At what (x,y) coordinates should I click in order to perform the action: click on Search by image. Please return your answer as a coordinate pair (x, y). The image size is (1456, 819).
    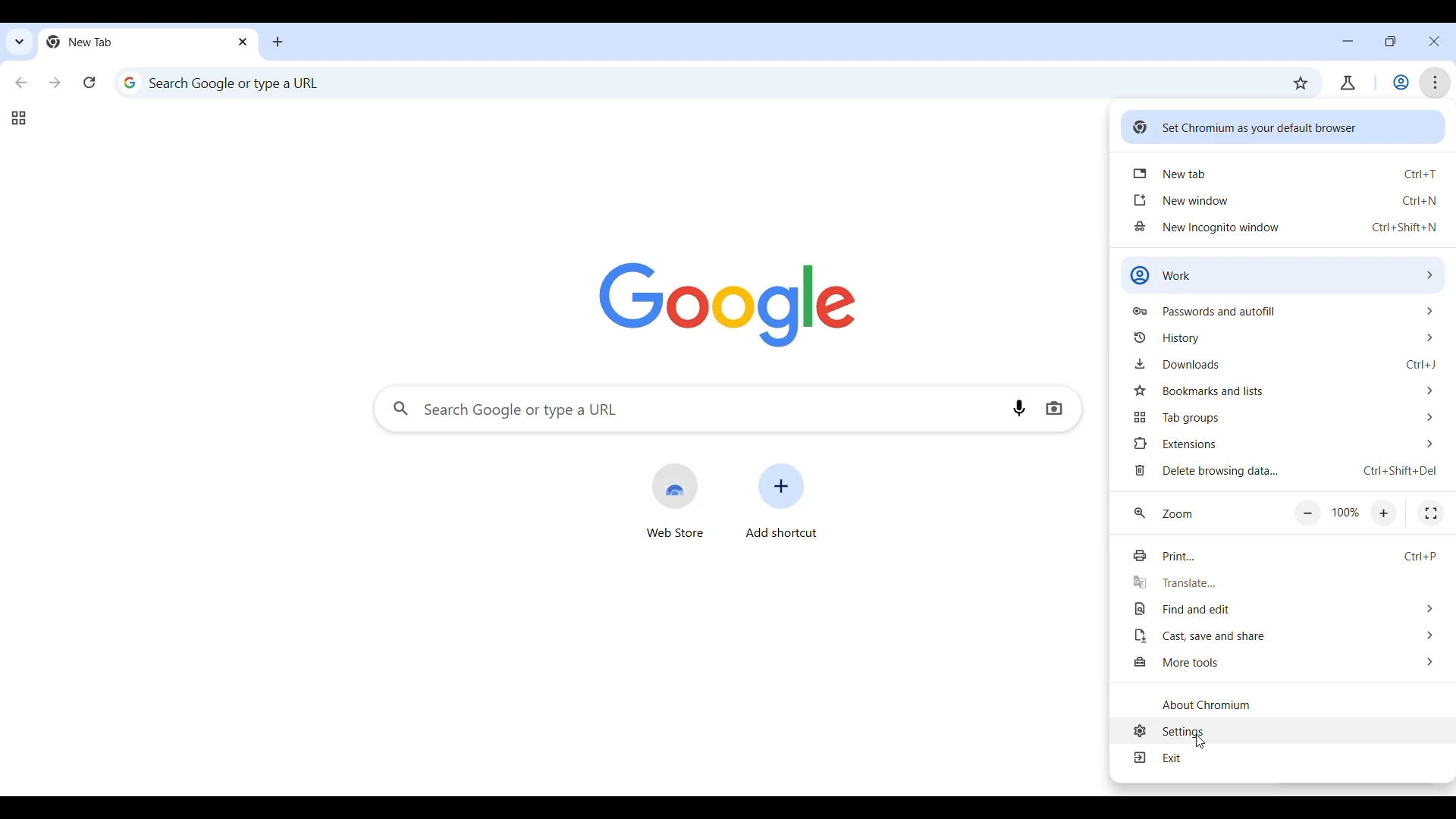
    Looking at the image, I should click on (1059, 408).